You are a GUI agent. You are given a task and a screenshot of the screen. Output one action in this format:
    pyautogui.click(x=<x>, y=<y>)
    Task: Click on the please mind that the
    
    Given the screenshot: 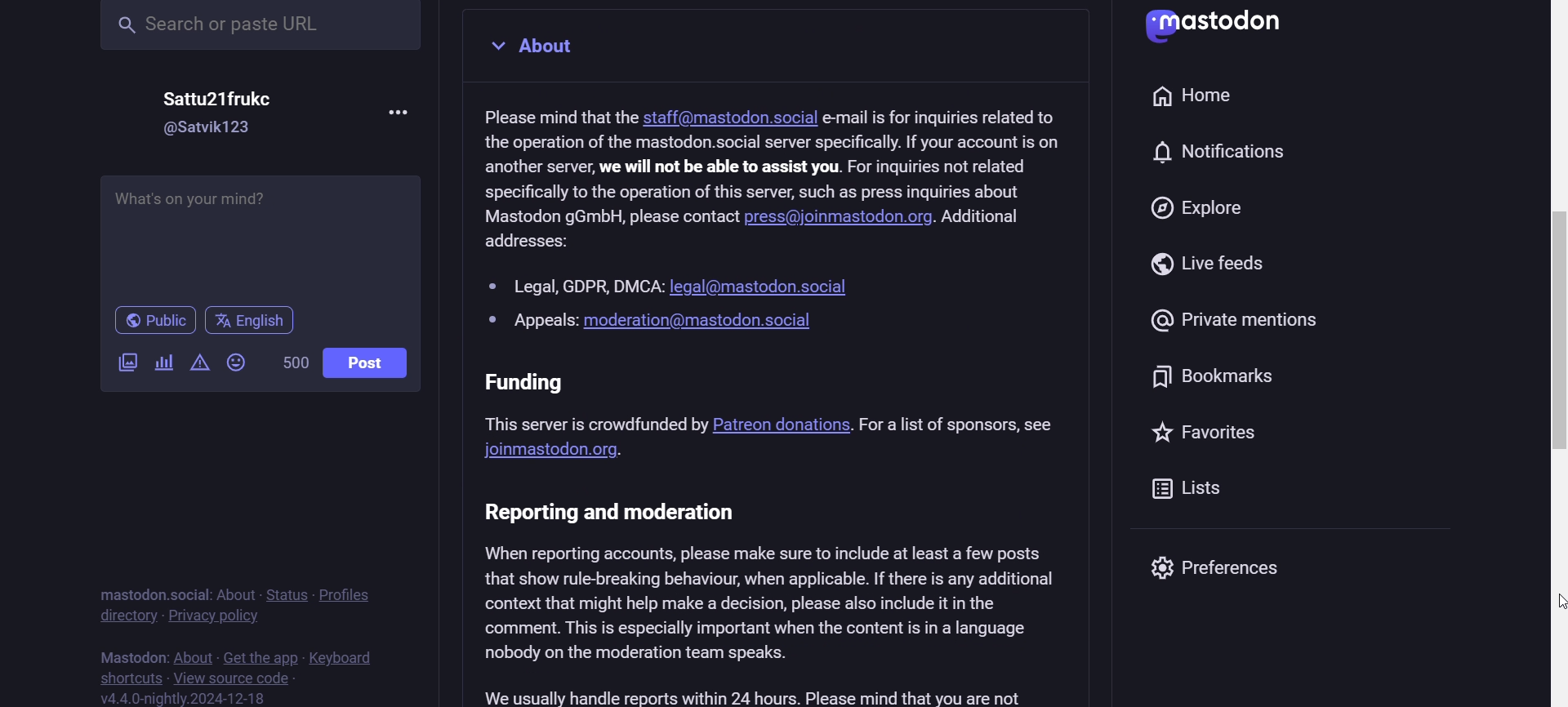 What is the action you would take?
    pyautogui.click(x=553, y=116)
    